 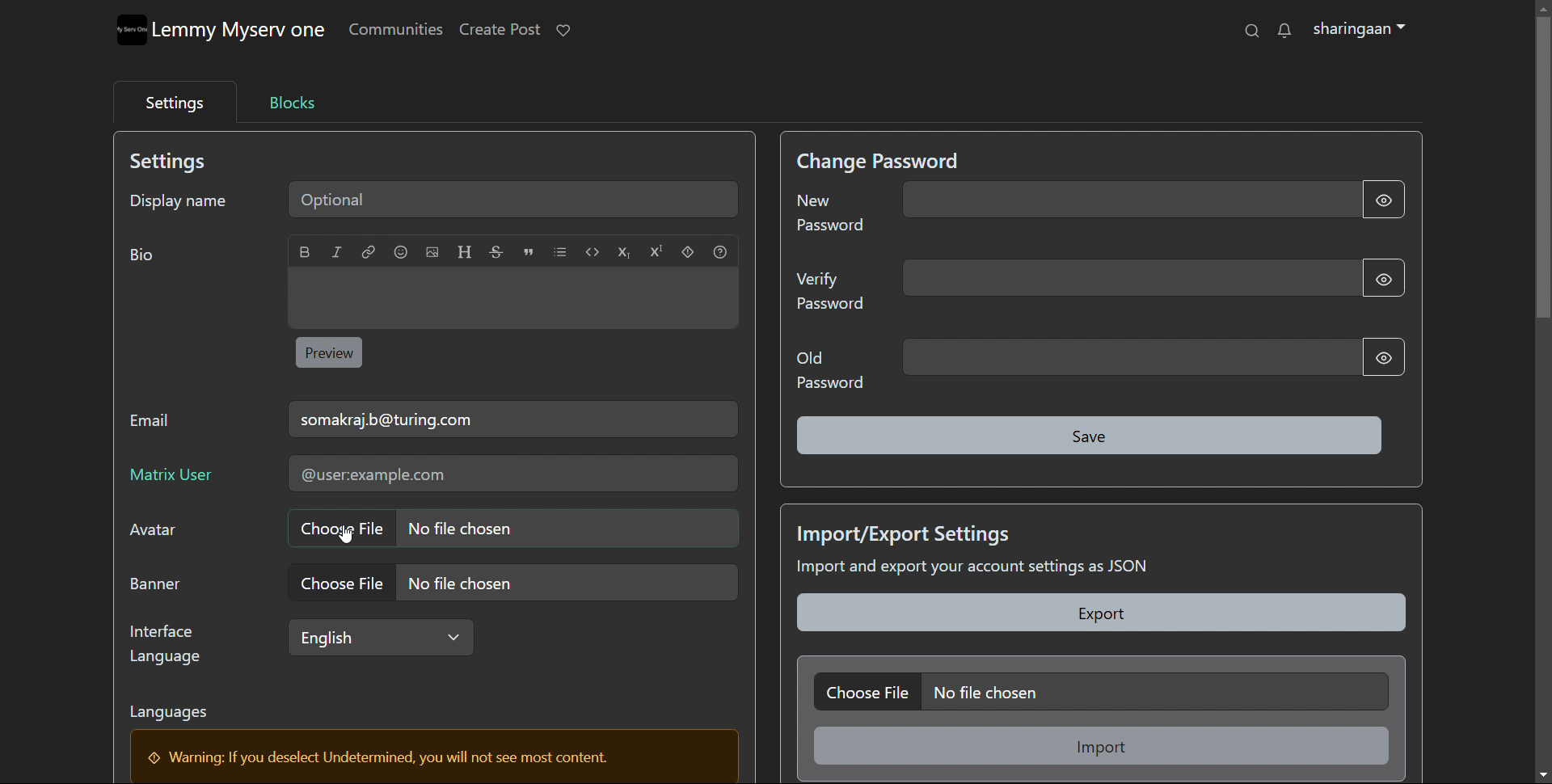 I want to click on list, so click(x=559, y=251).